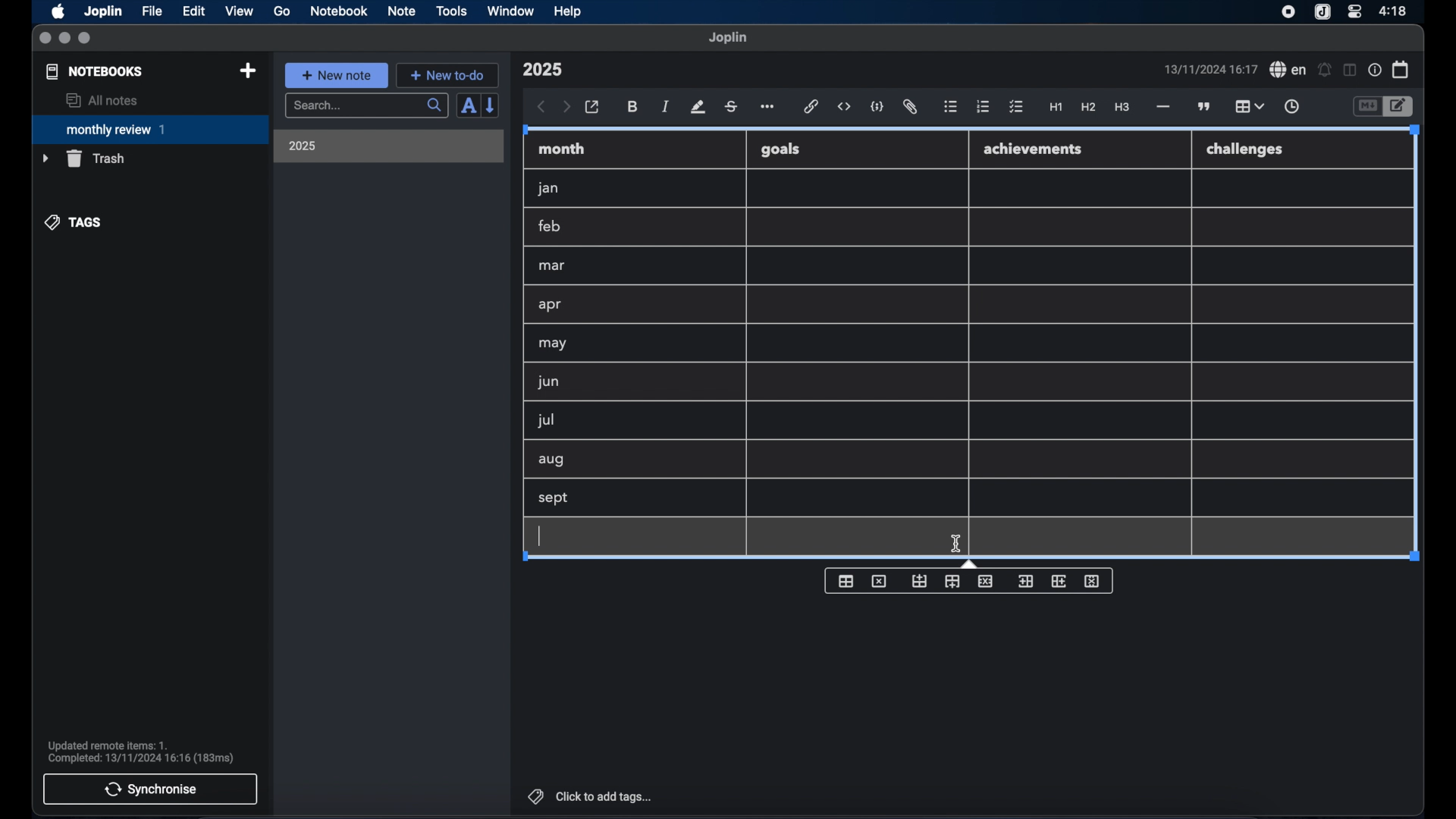  I want to click on new notebook, so click(247, 71).